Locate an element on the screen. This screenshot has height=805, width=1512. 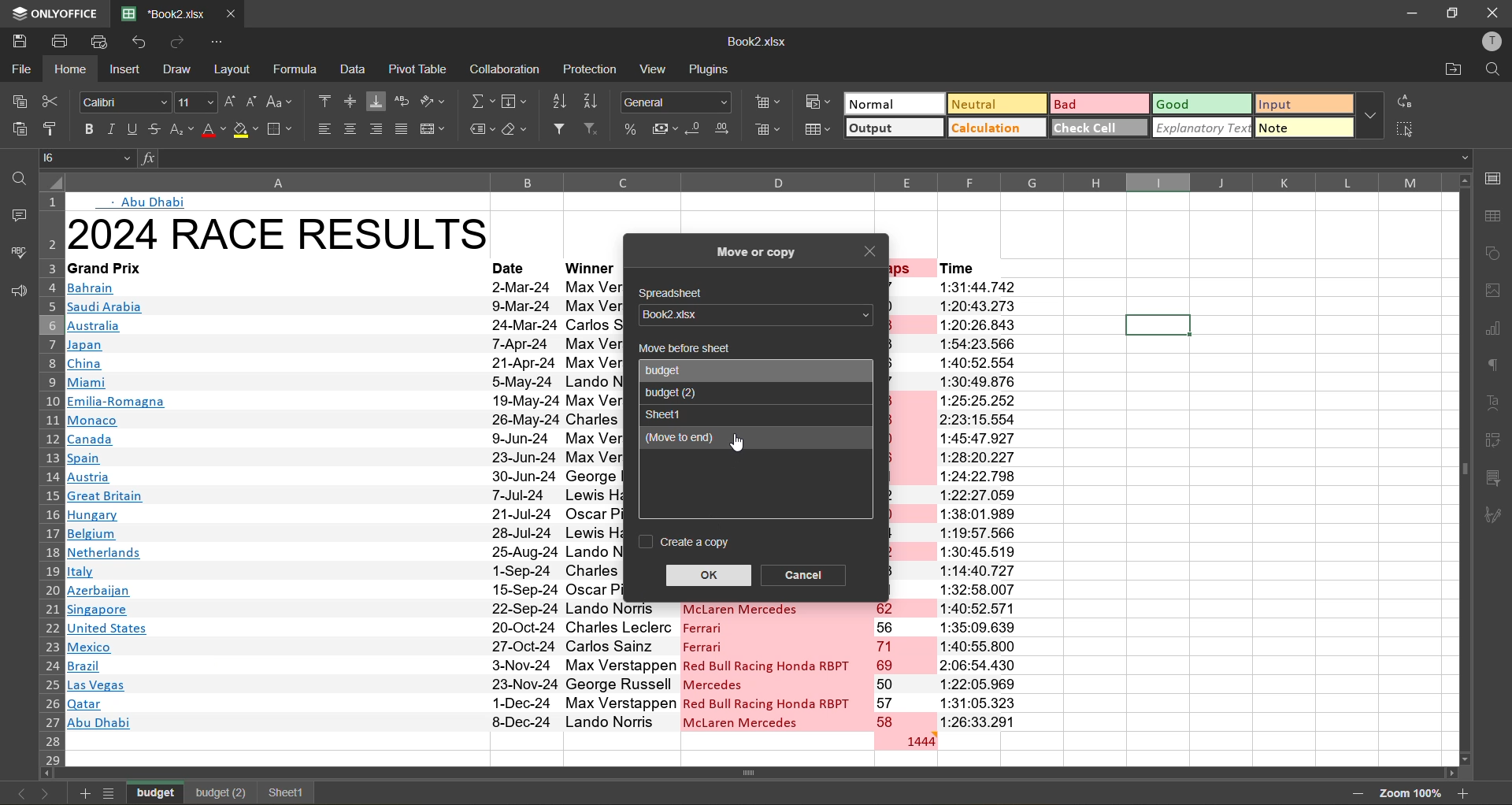
select all is located at coordinates (1406, 129).